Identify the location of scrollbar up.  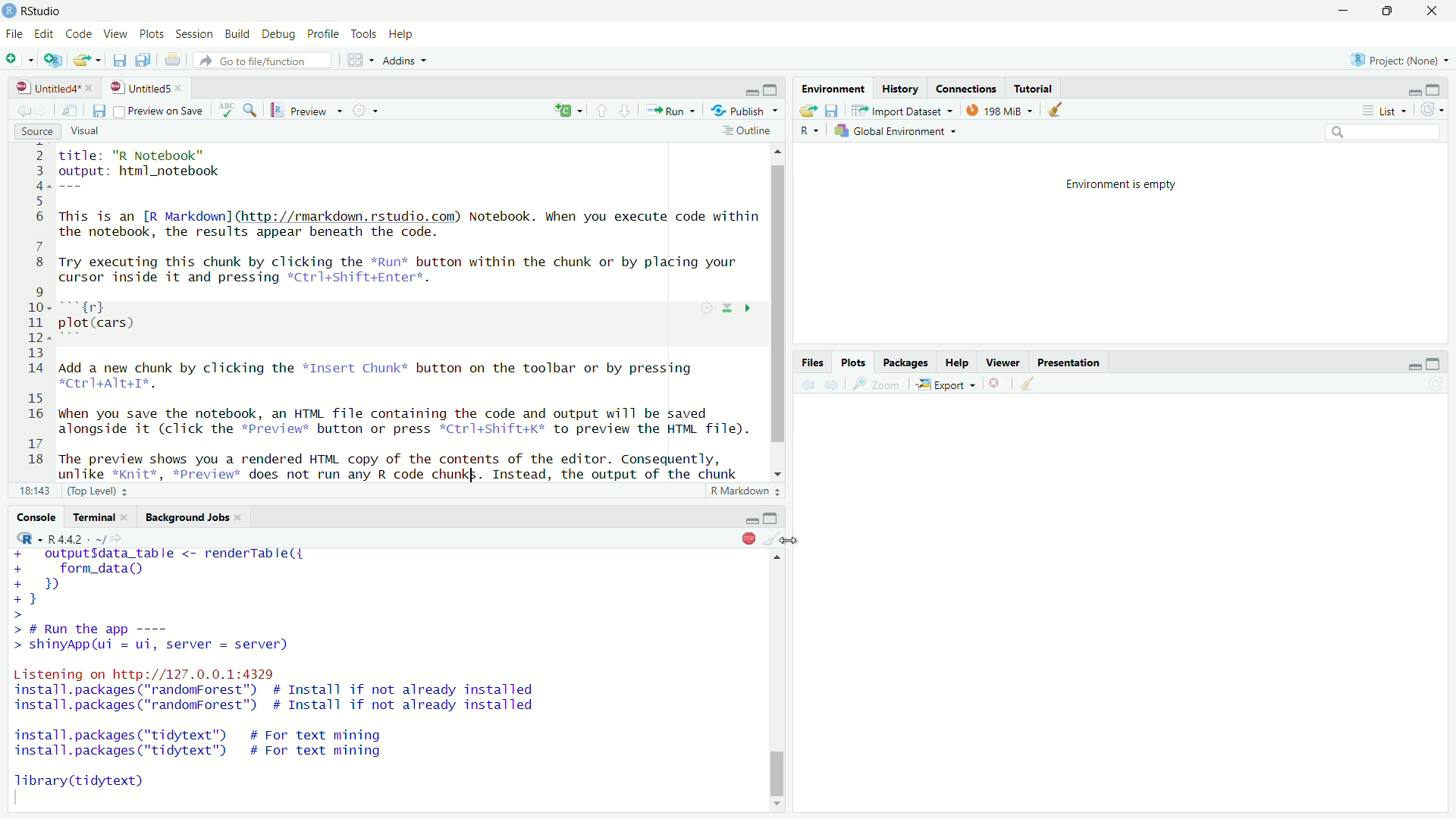
(778, 557).